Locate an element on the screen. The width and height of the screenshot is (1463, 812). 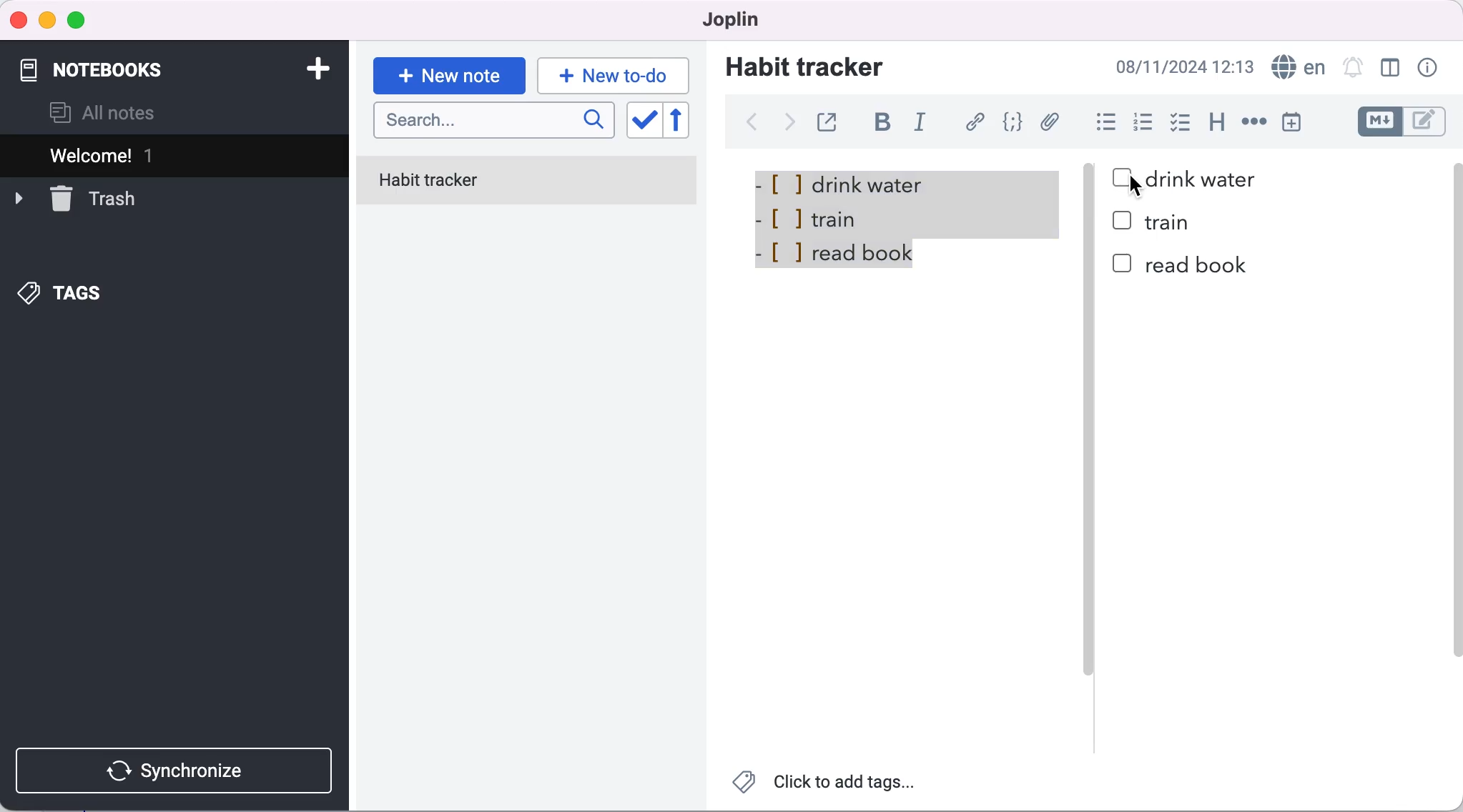
attach file is located at coordinates (1053, 122).